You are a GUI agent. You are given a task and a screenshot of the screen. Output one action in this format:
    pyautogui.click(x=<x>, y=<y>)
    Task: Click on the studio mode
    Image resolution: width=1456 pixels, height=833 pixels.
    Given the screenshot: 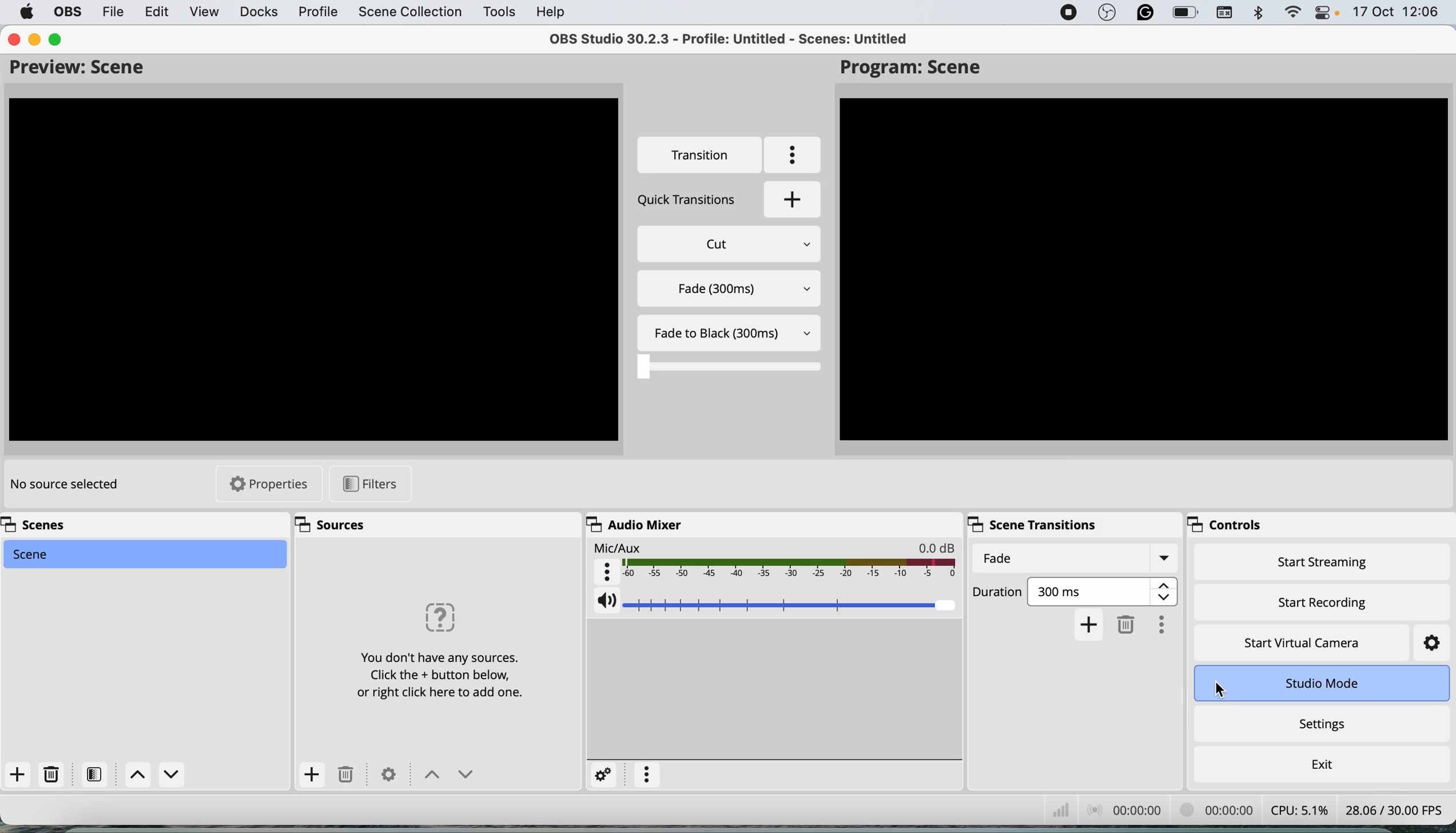 What is the action you would take?
    pyautogui.click(x=1325, y=683)
    